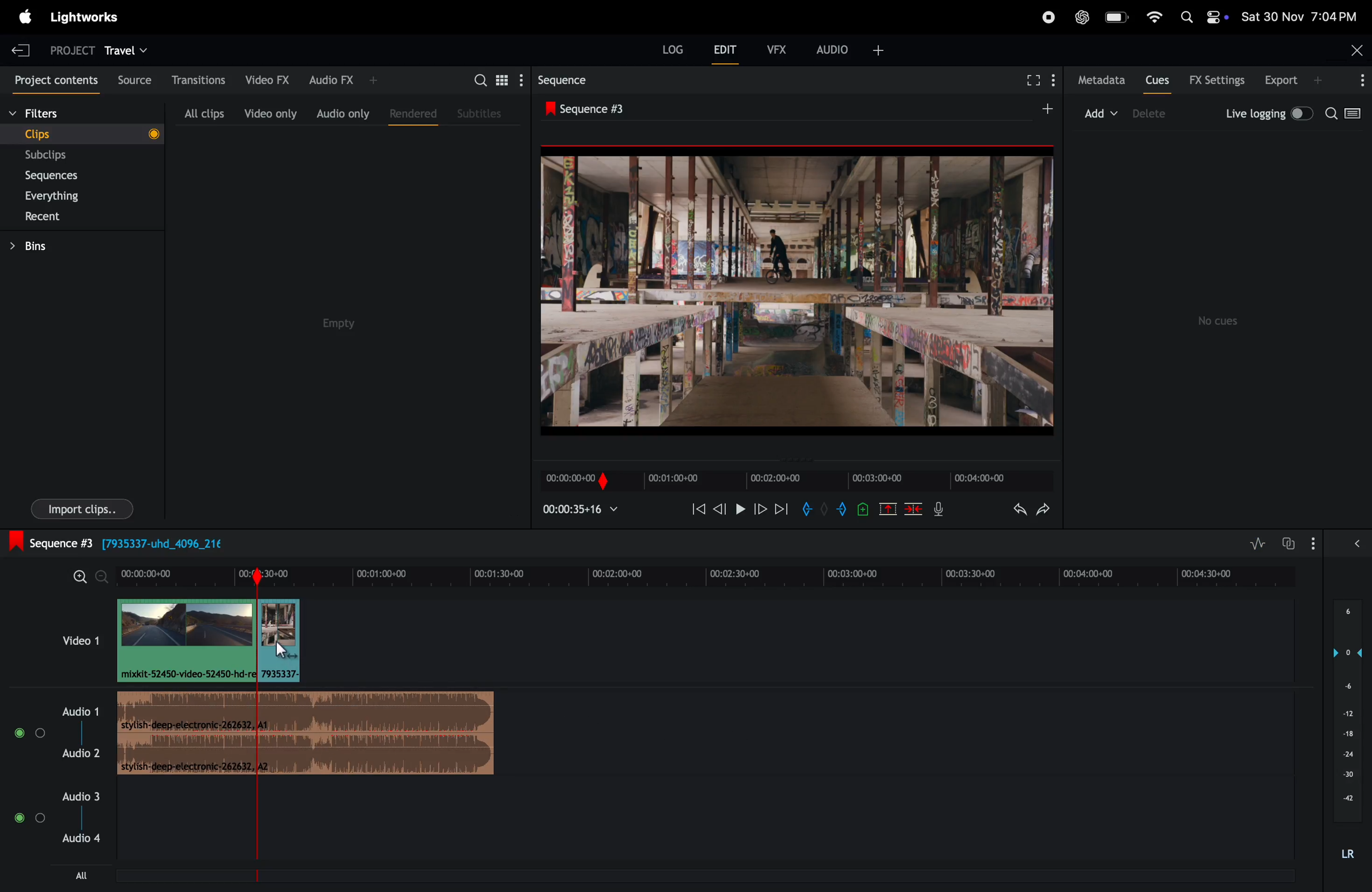 The width and height of the screenshot is (1372, 892). What do you see at coordinates (203, 110) in the screenshot?
I see `all clips` at bounding box center [203, 110].